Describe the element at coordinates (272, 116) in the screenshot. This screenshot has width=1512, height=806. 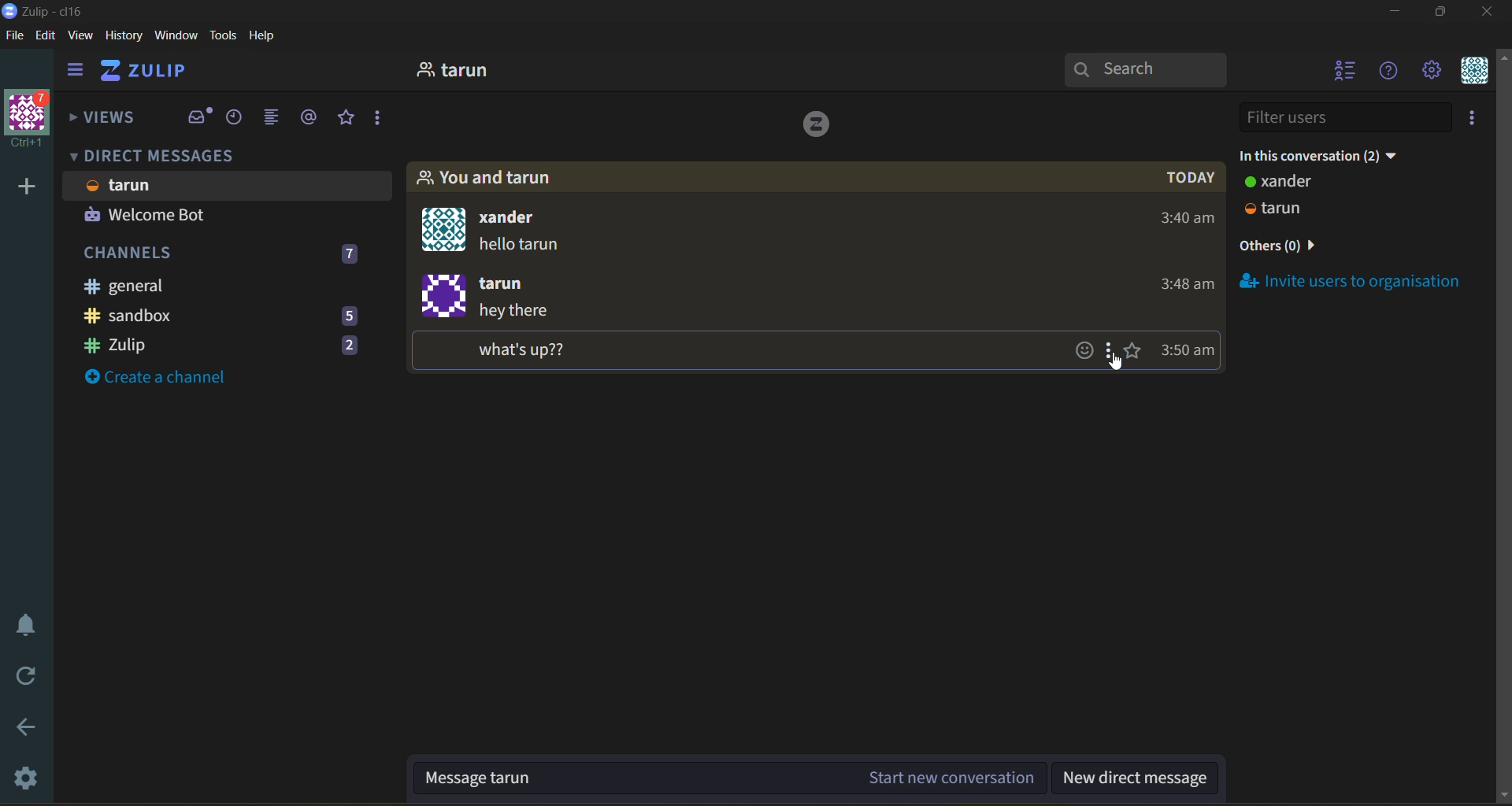
I see `combined feed` at that location.